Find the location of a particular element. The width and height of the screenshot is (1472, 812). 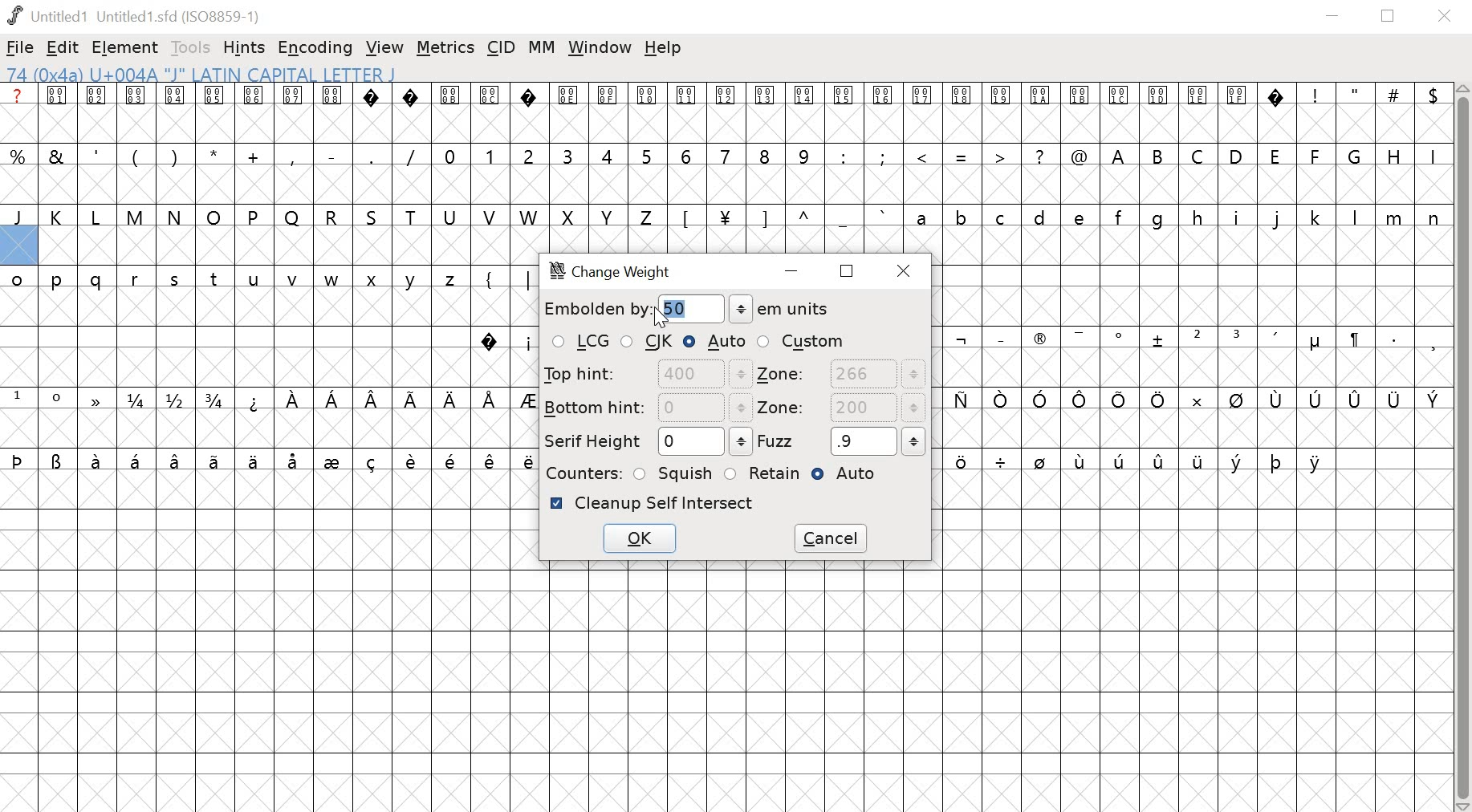

restore down is located at coordinates (1389, 16).